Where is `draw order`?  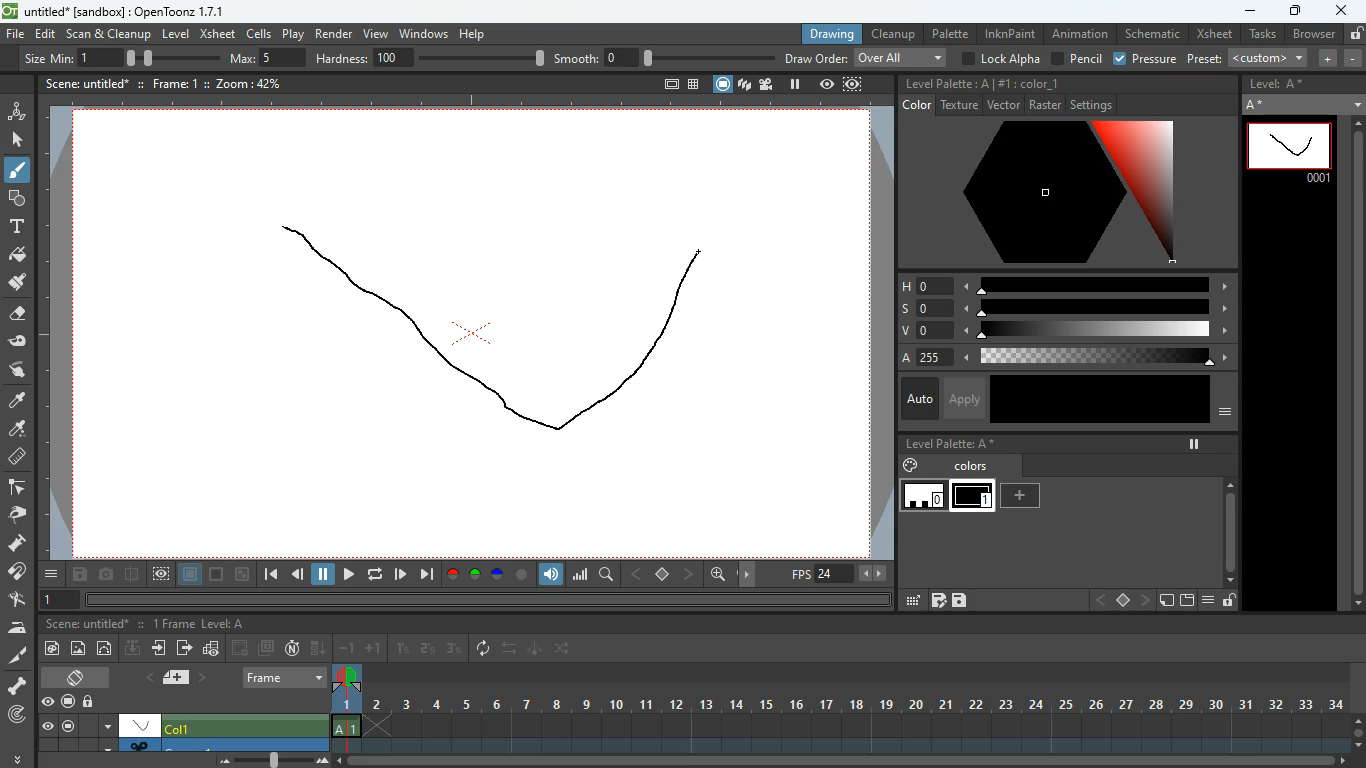
draw order is located at coordinates (866, 57).